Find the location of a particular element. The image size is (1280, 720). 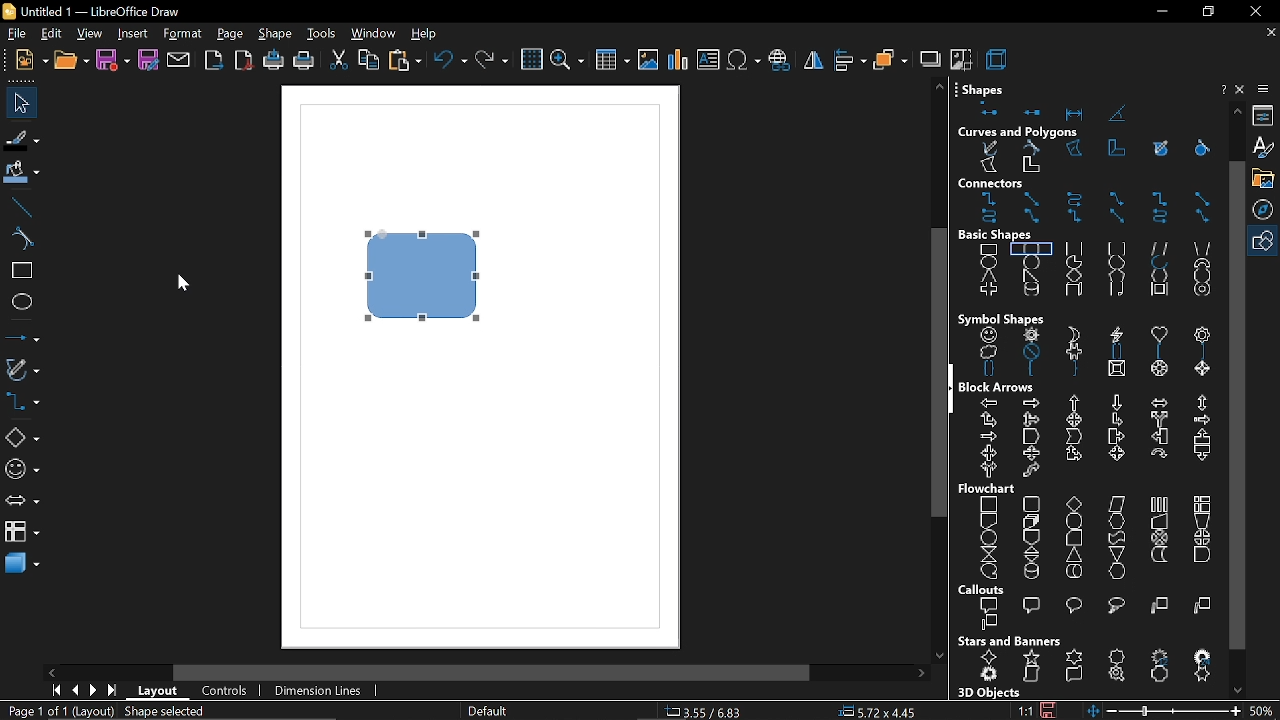

zoom is located at coordinates (566, 62).